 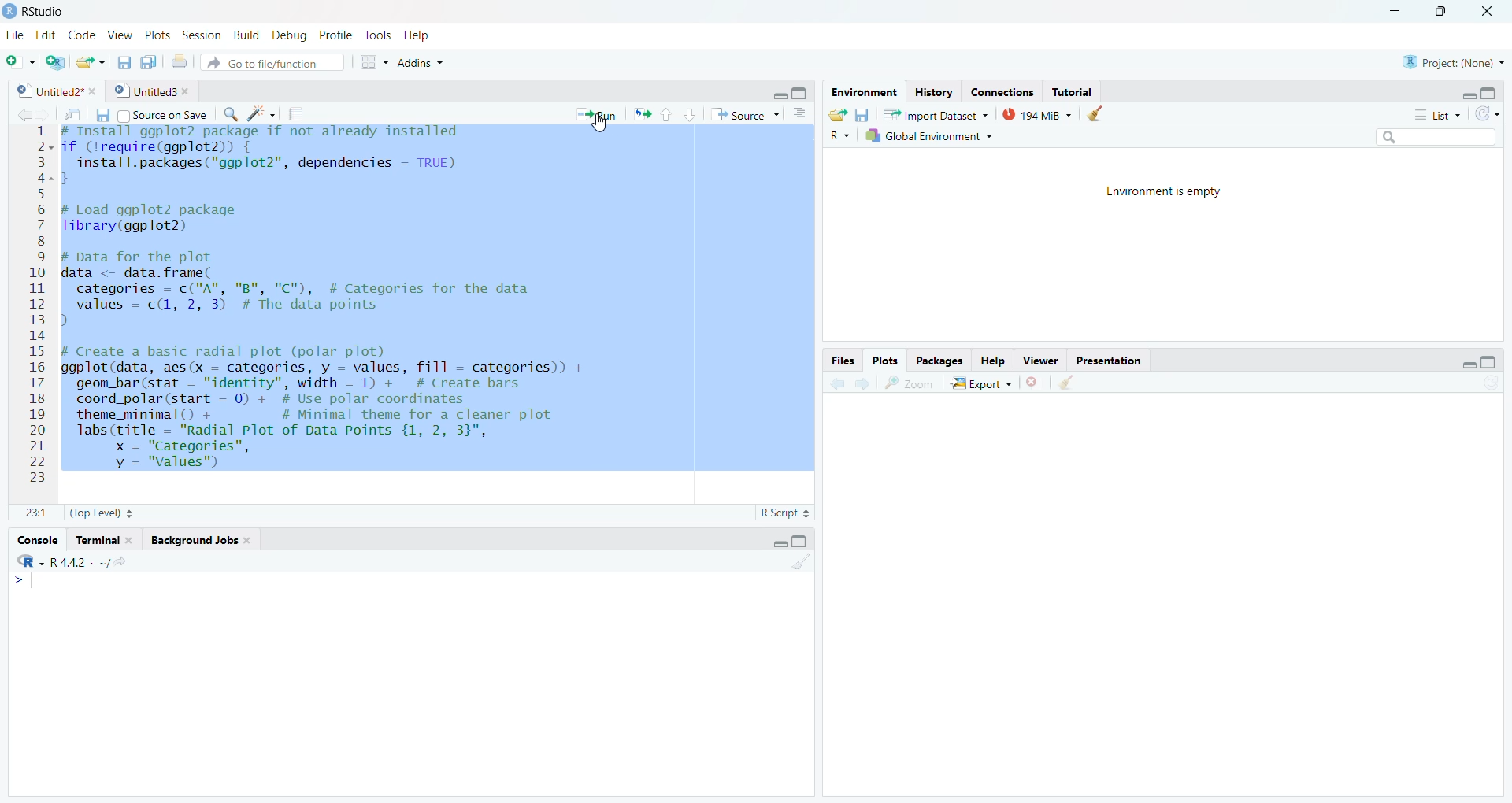 I want to click on workspace panes, so click(x=376, y=61).